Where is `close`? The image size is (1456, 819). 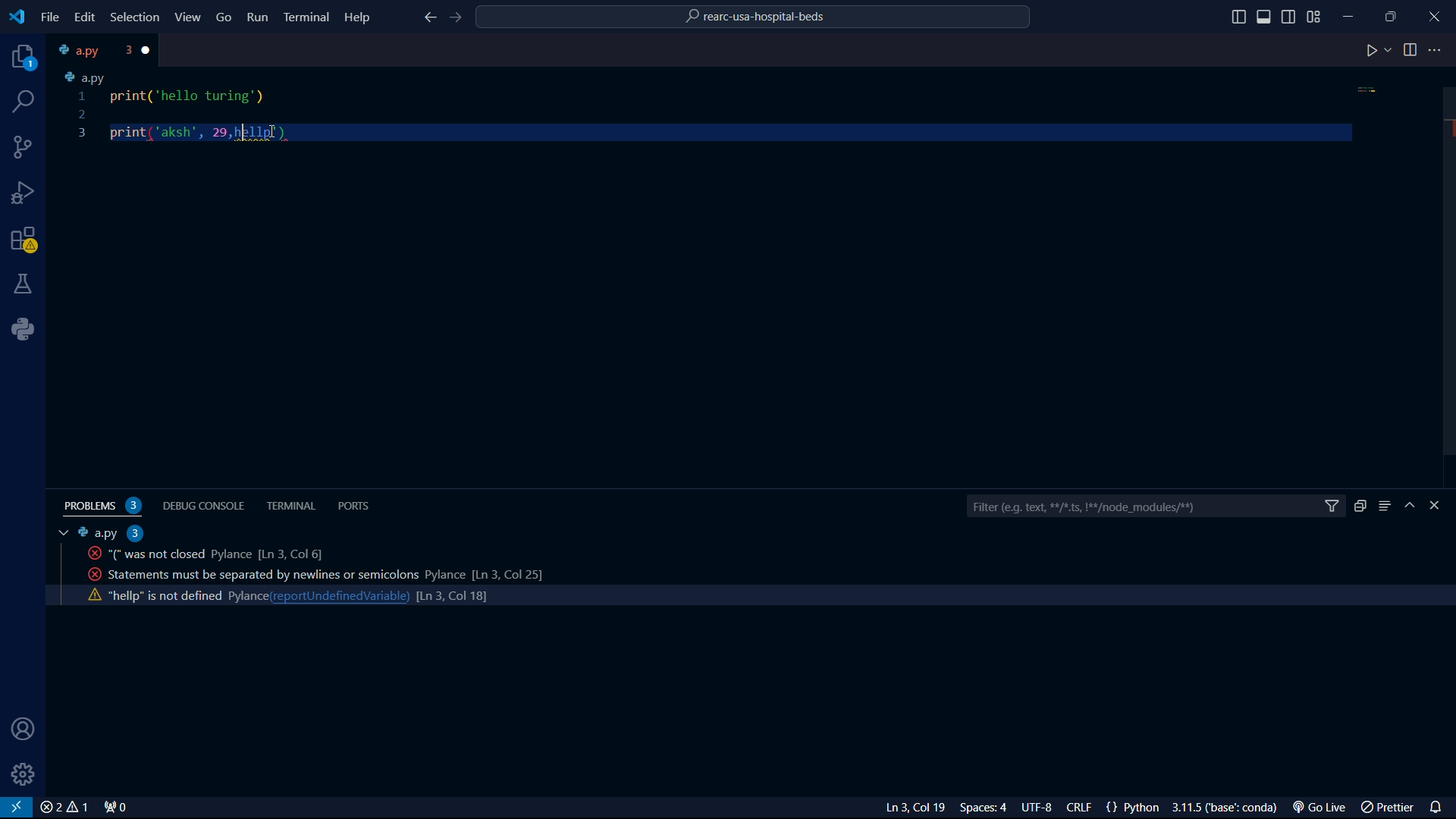 close is located at coordinates (149, 50).